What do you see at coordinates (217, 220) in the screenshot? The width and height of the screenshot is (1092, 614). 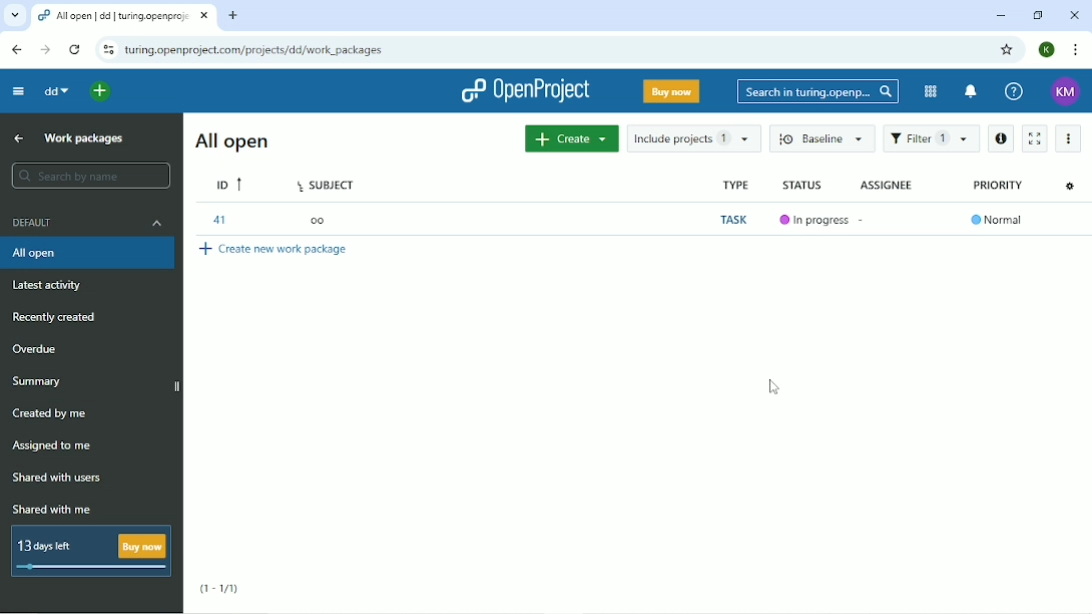 I see `41` at bounding box center [217, 220].